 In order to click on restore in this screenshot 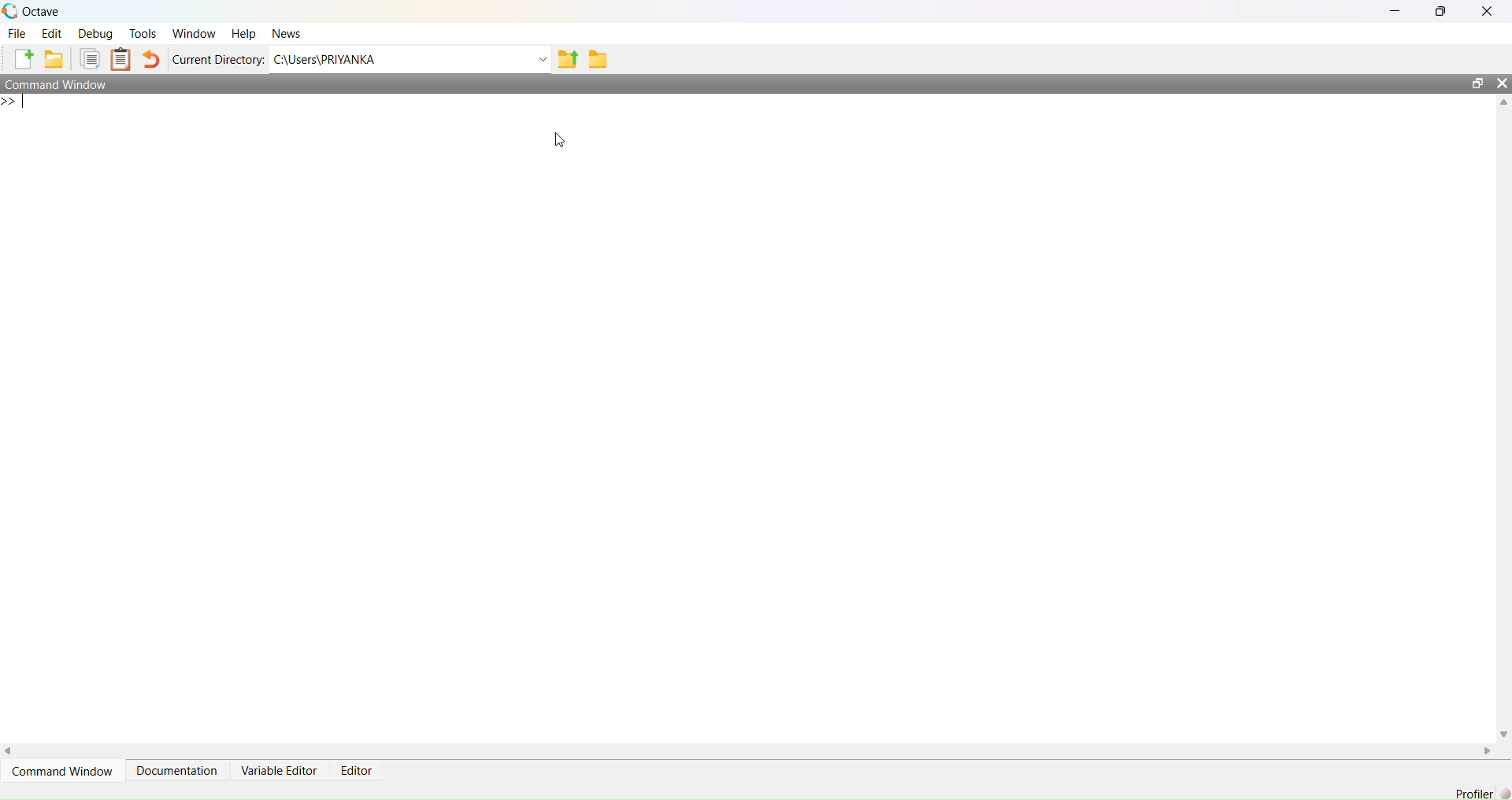, I will do `click(1441, 12)`.